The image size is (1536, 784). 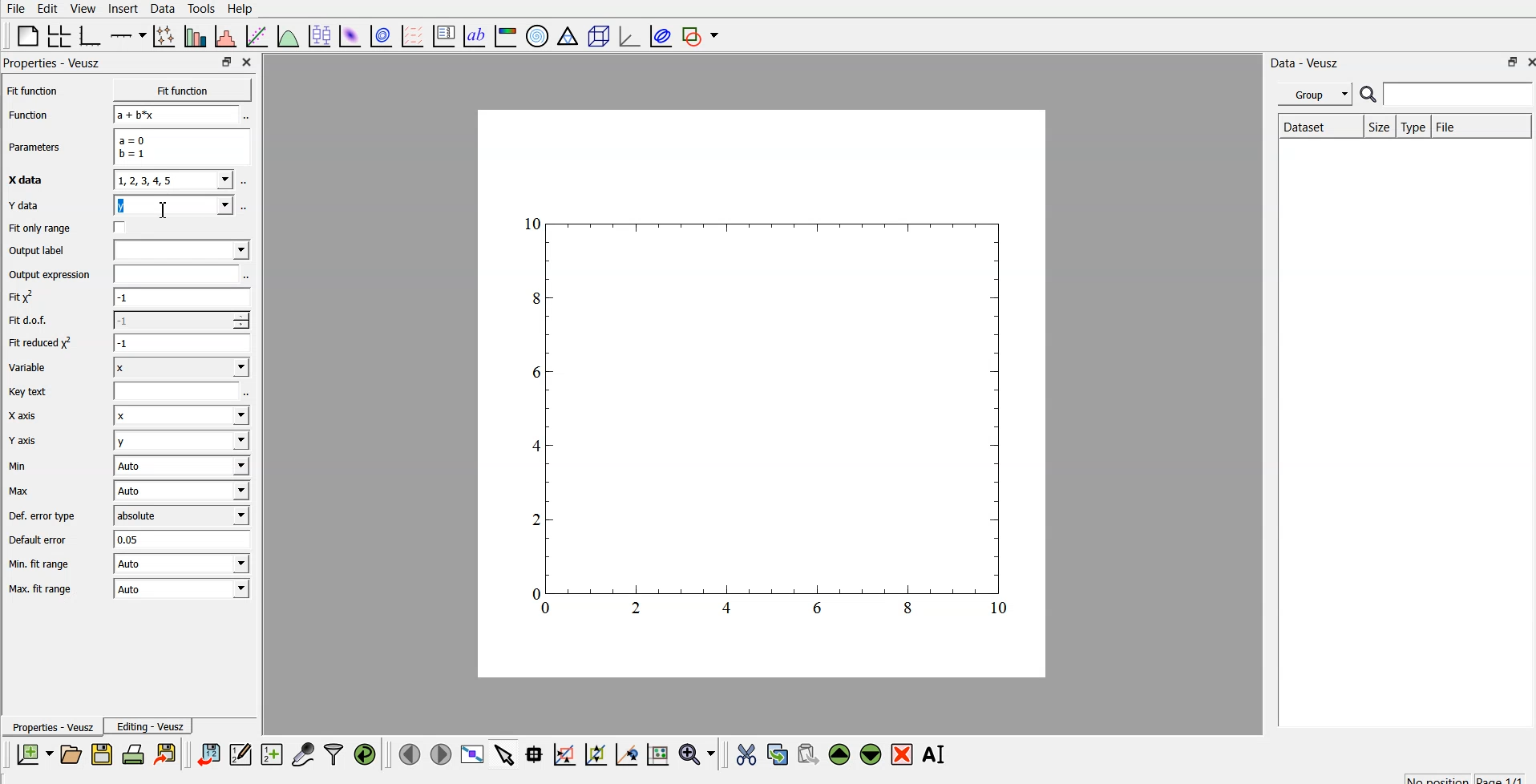 What do you see at coordinates (183, 440) in the screenshot?
I see `y` at bounding box center [183, 440].